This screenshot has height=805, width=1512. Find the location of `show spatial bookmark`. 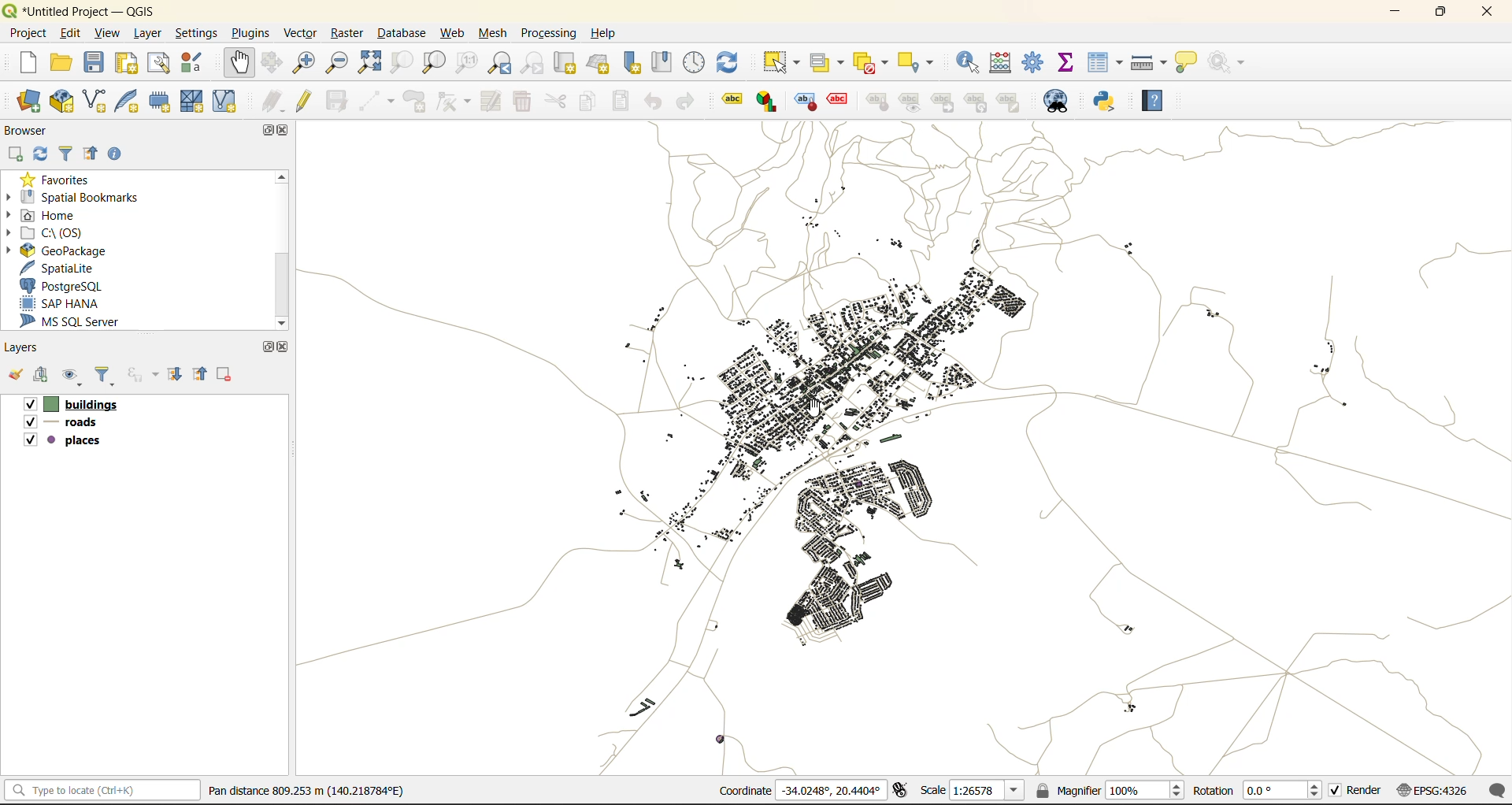

show spatial bookmark is located at coordinates (661, 62).